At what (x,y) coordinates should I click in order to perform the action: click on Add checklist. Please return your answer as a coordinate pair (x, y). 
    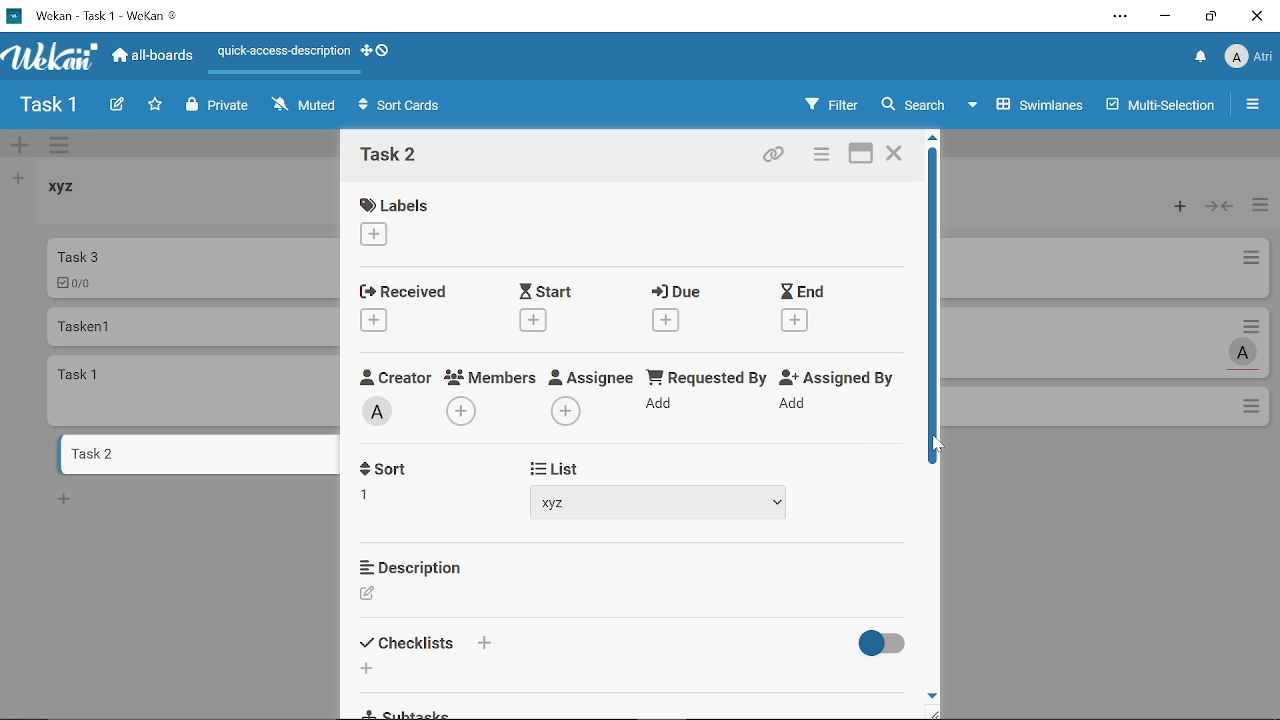
    Looking at the image, I should click on (491, 642).